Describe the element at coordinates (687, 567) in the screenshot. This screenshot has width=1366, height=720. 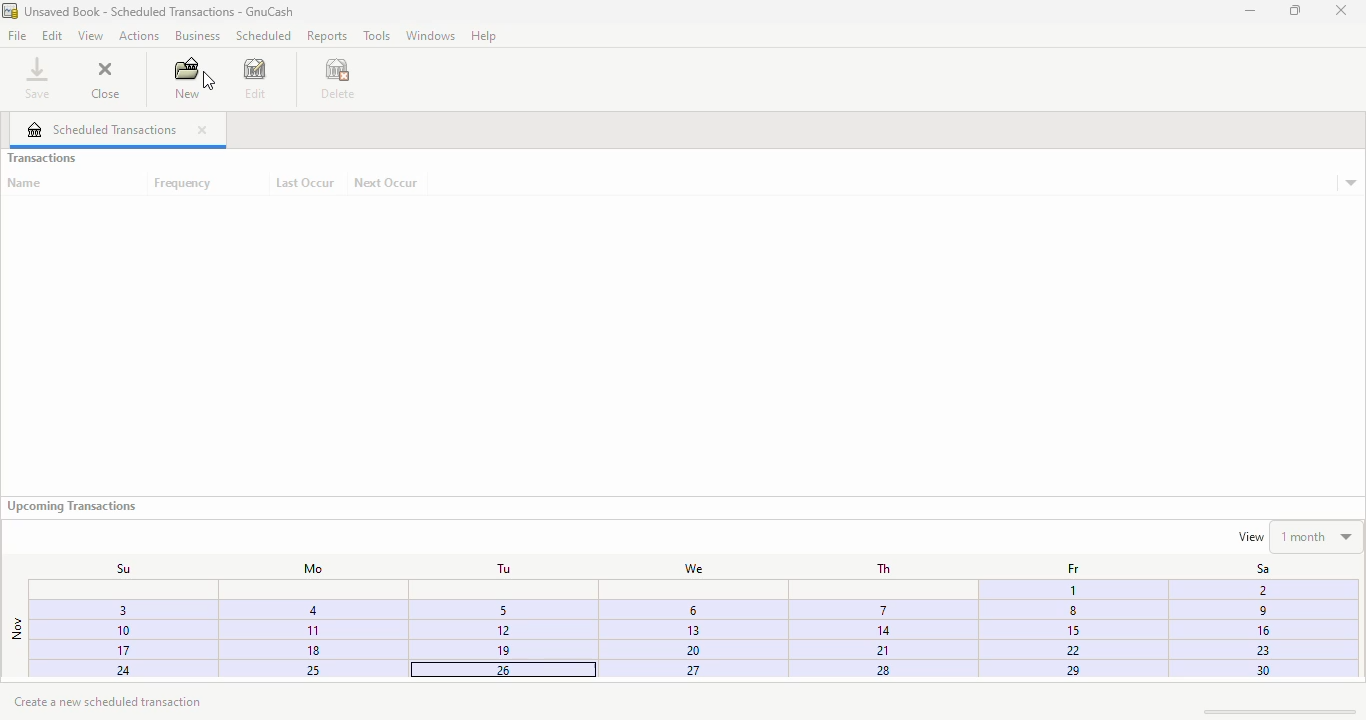
I see `We` at that location.